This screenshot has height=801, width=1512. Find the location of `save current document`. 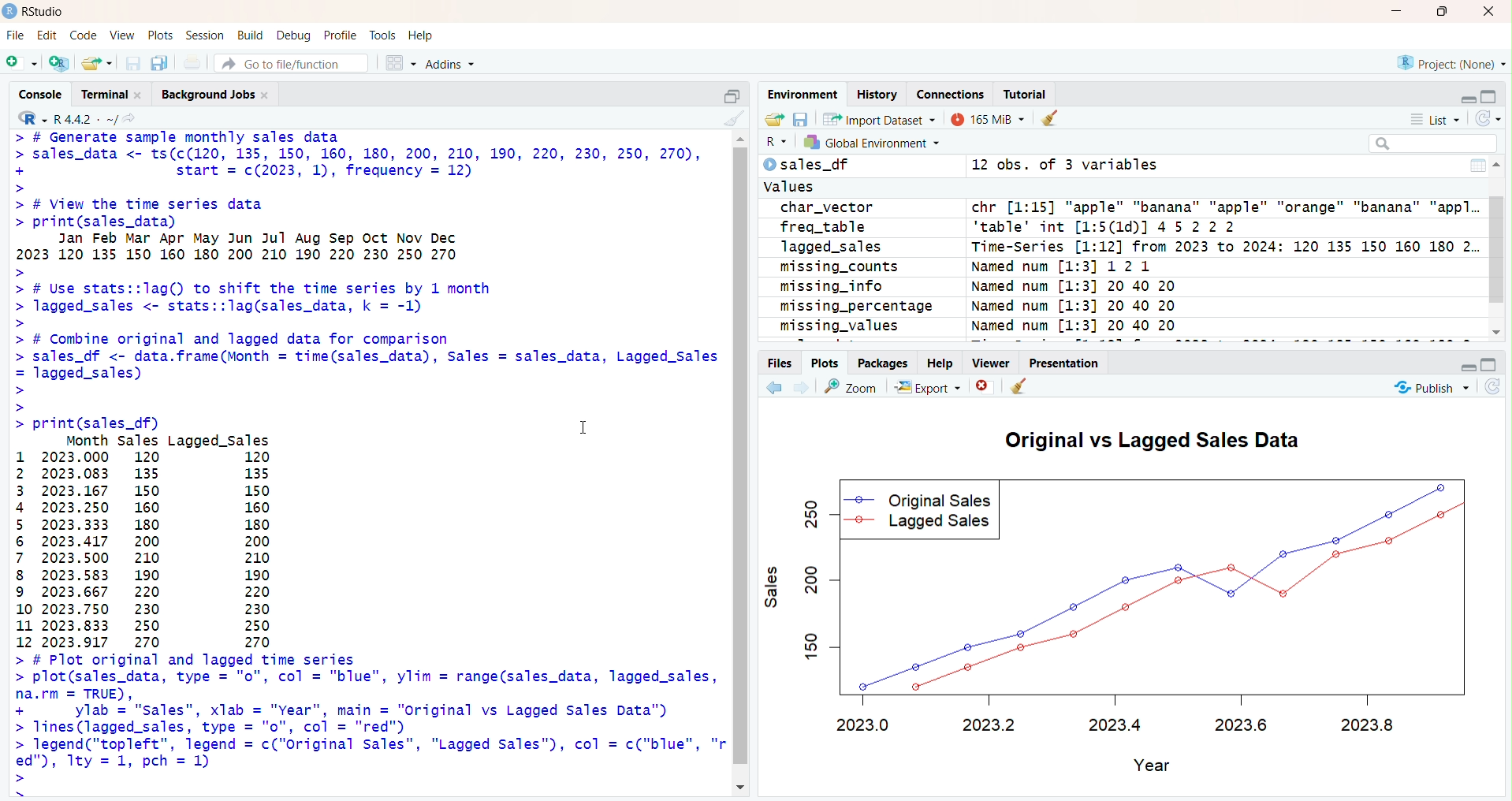

save current document is located at coordinates (134, 64).